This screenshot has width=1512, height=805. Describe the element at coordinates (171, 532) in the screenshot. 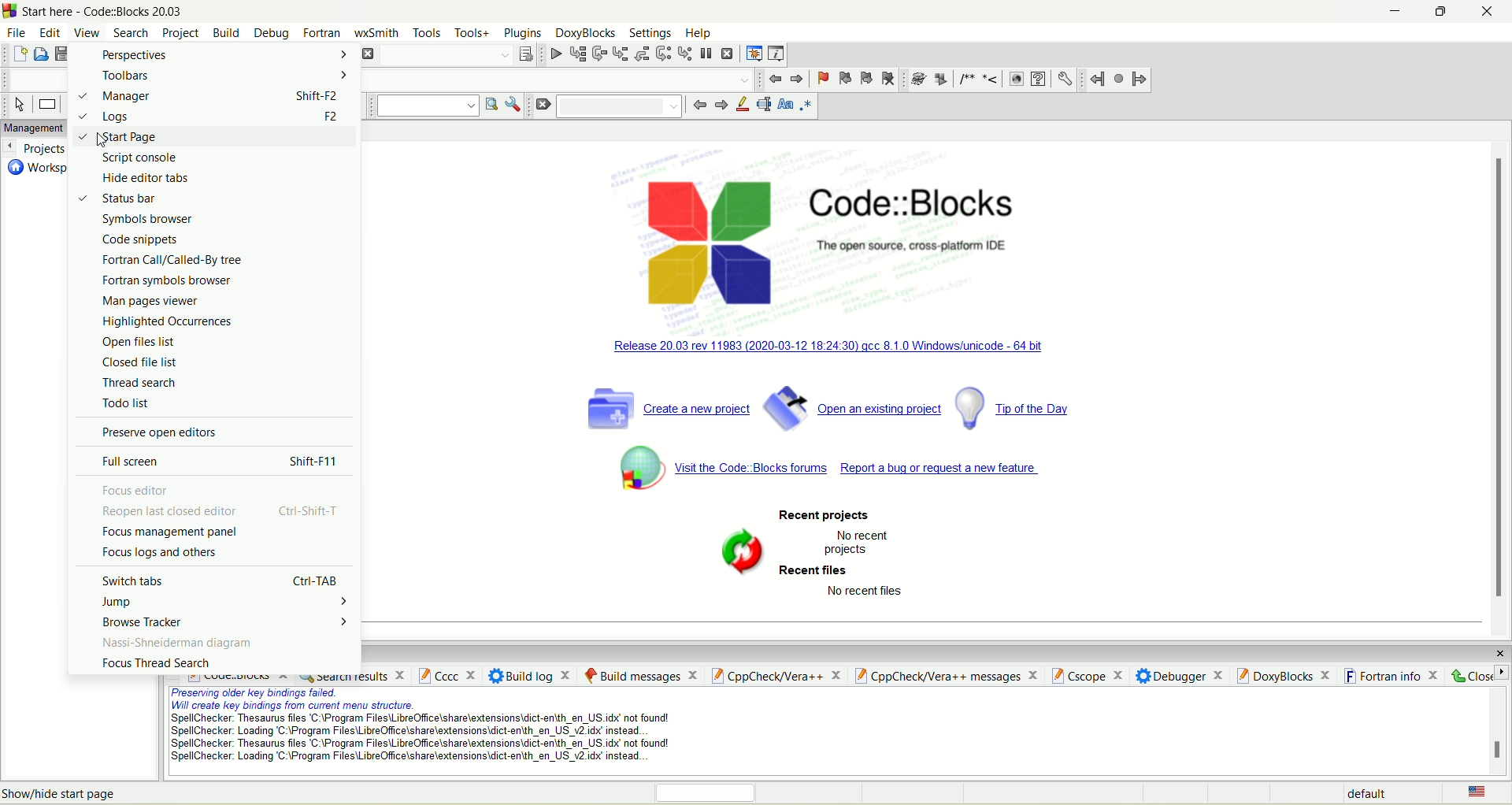

I see `focus management panel` at that location.